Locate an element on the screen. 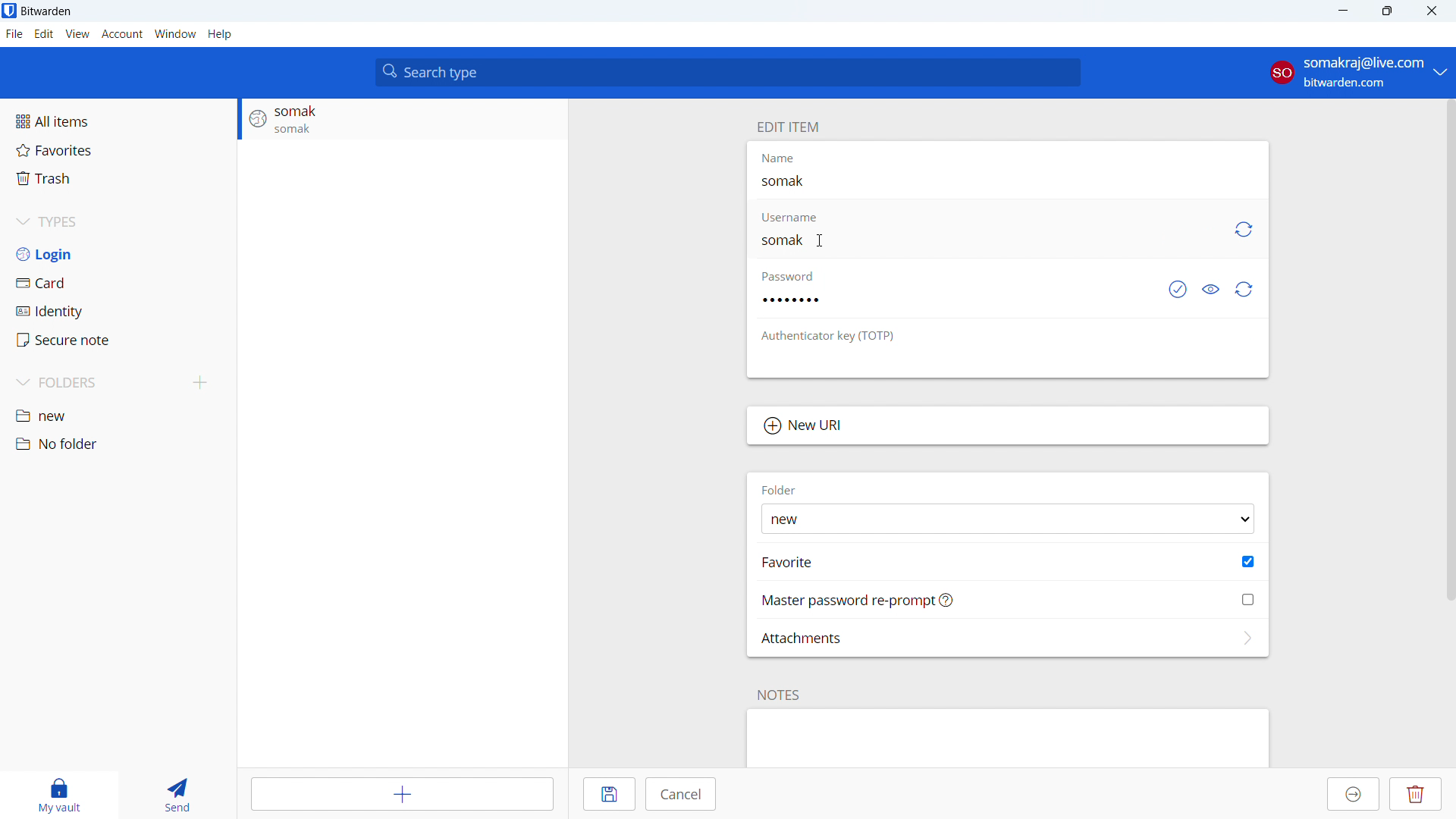 The height and width of the screenshot is (819, 1456). favorites is located at coordinates (118, 150).